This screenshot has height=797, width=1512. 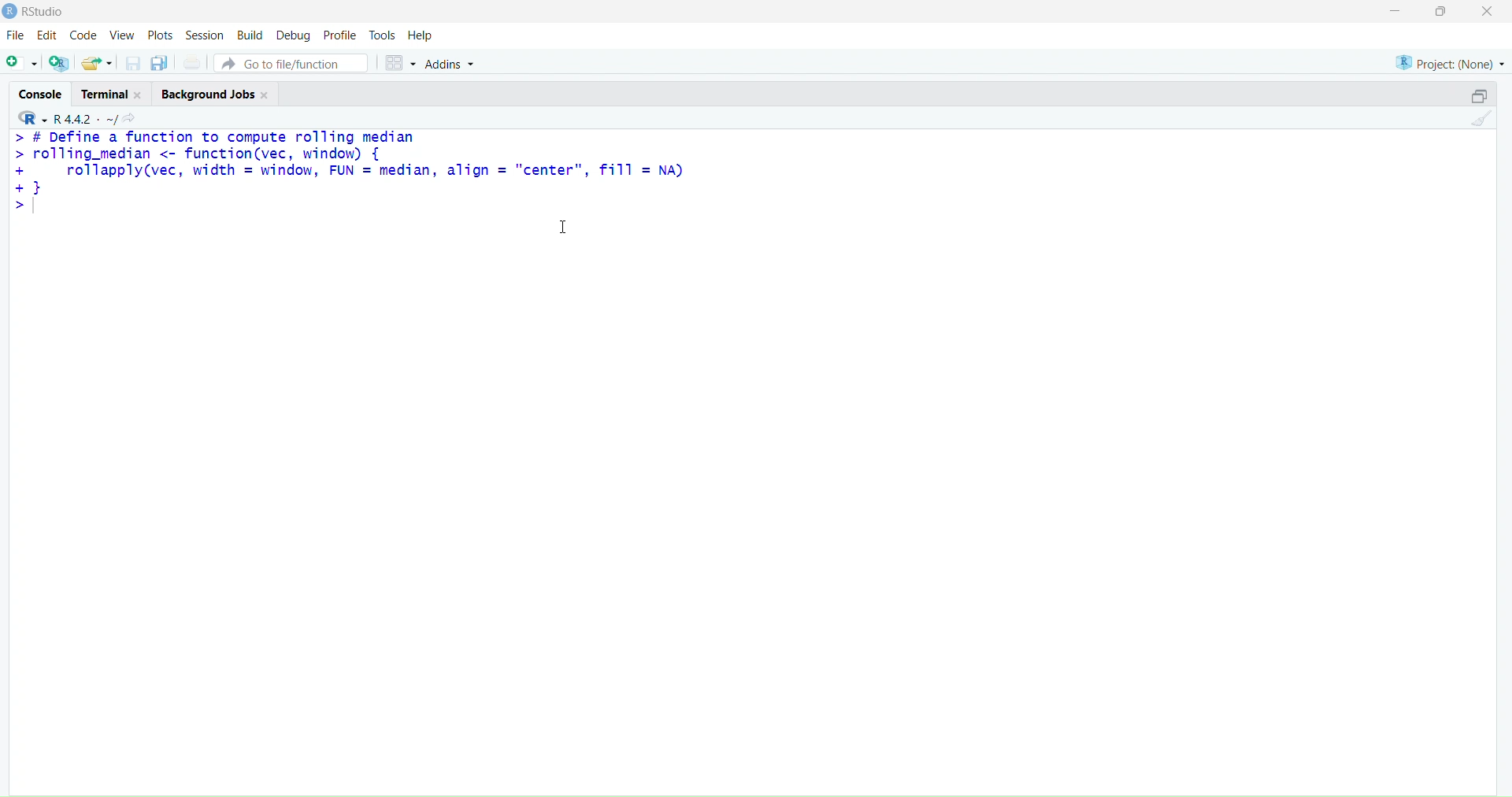 What do you see at coordinates (162, 35) in the screenshot?
I see `plots` at bounding box center [162, 35].